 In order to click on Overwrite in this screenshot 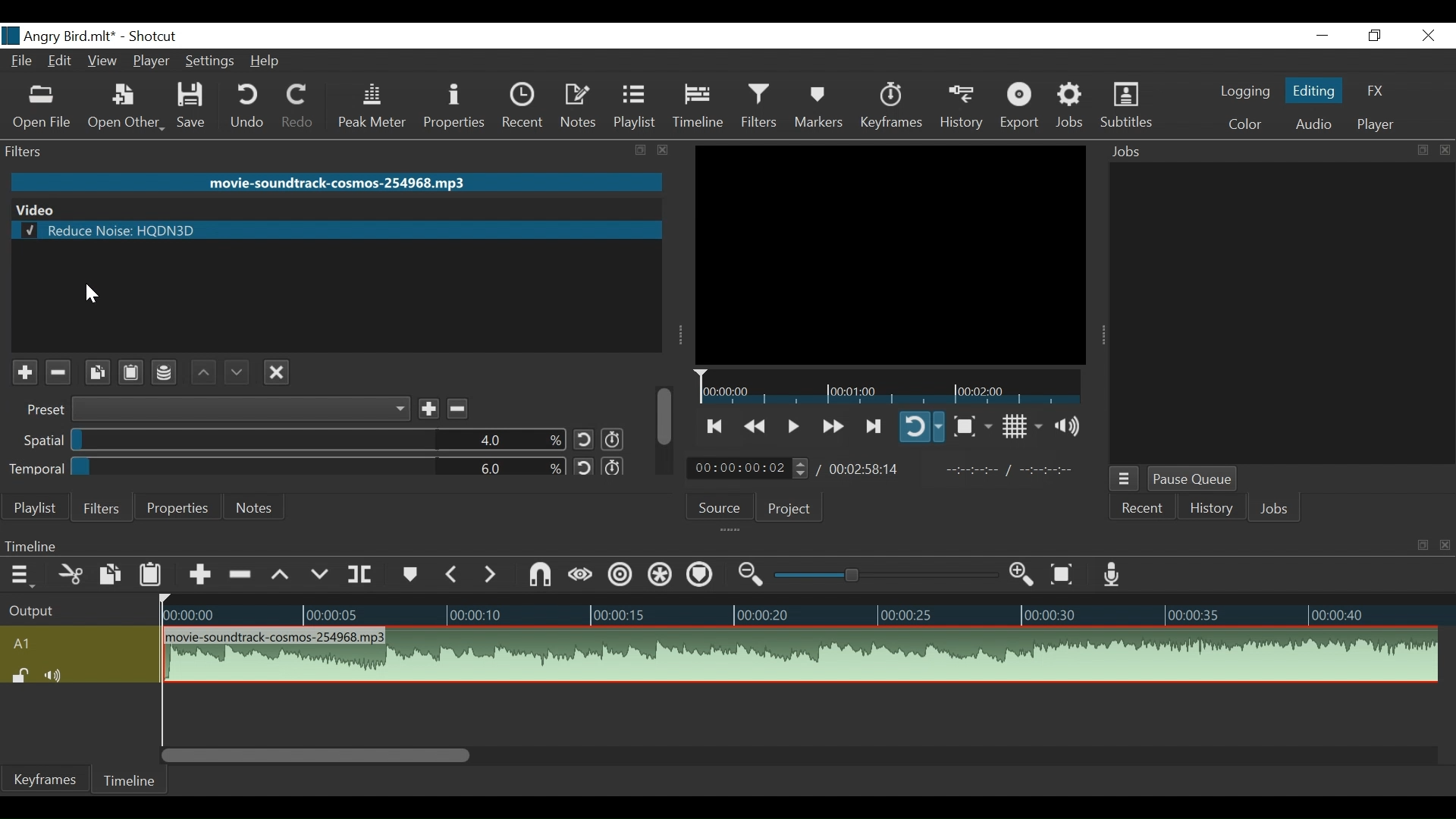, I will do `click(321, 573)`.